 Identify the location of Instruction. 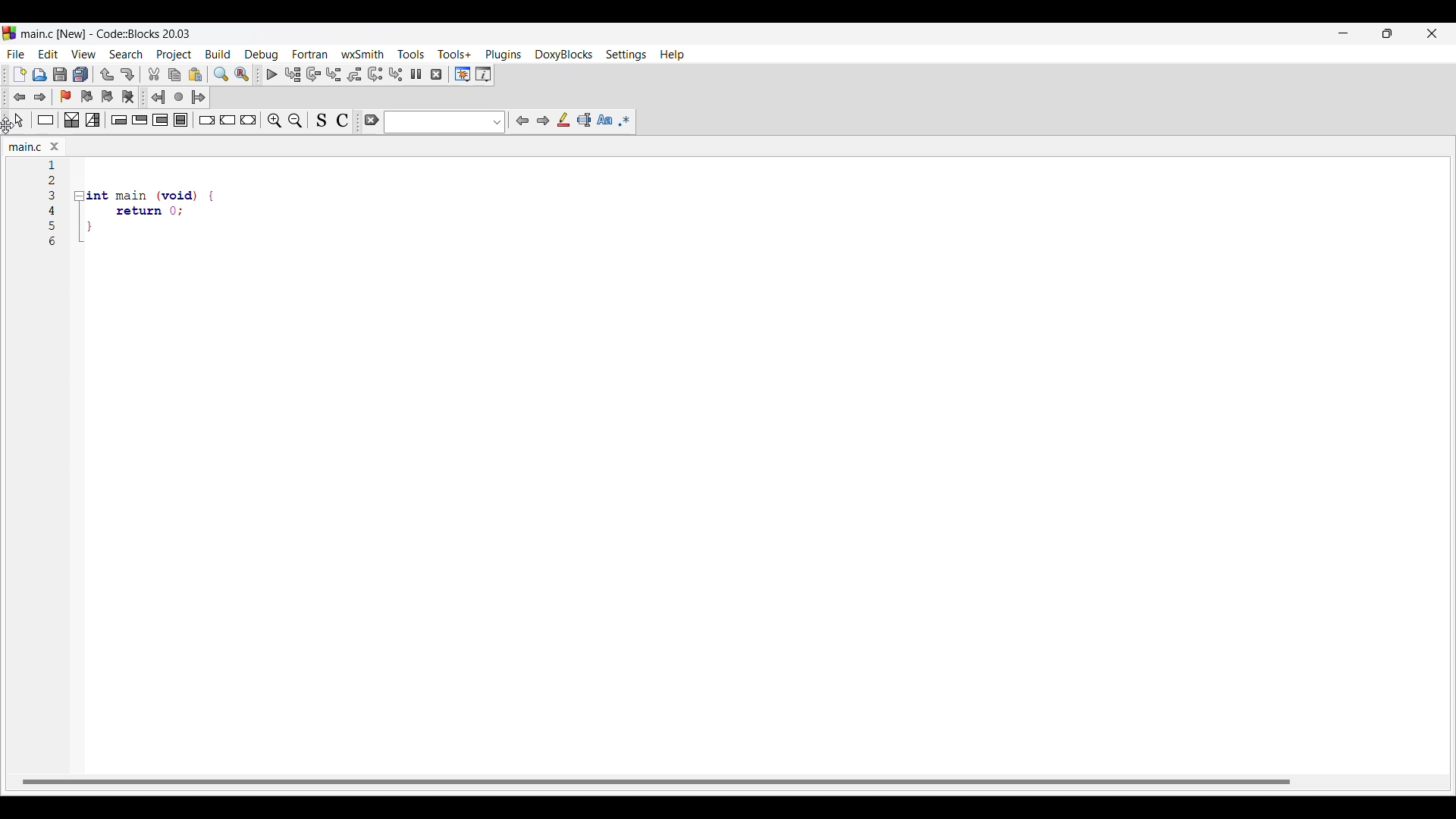
(45, 119).